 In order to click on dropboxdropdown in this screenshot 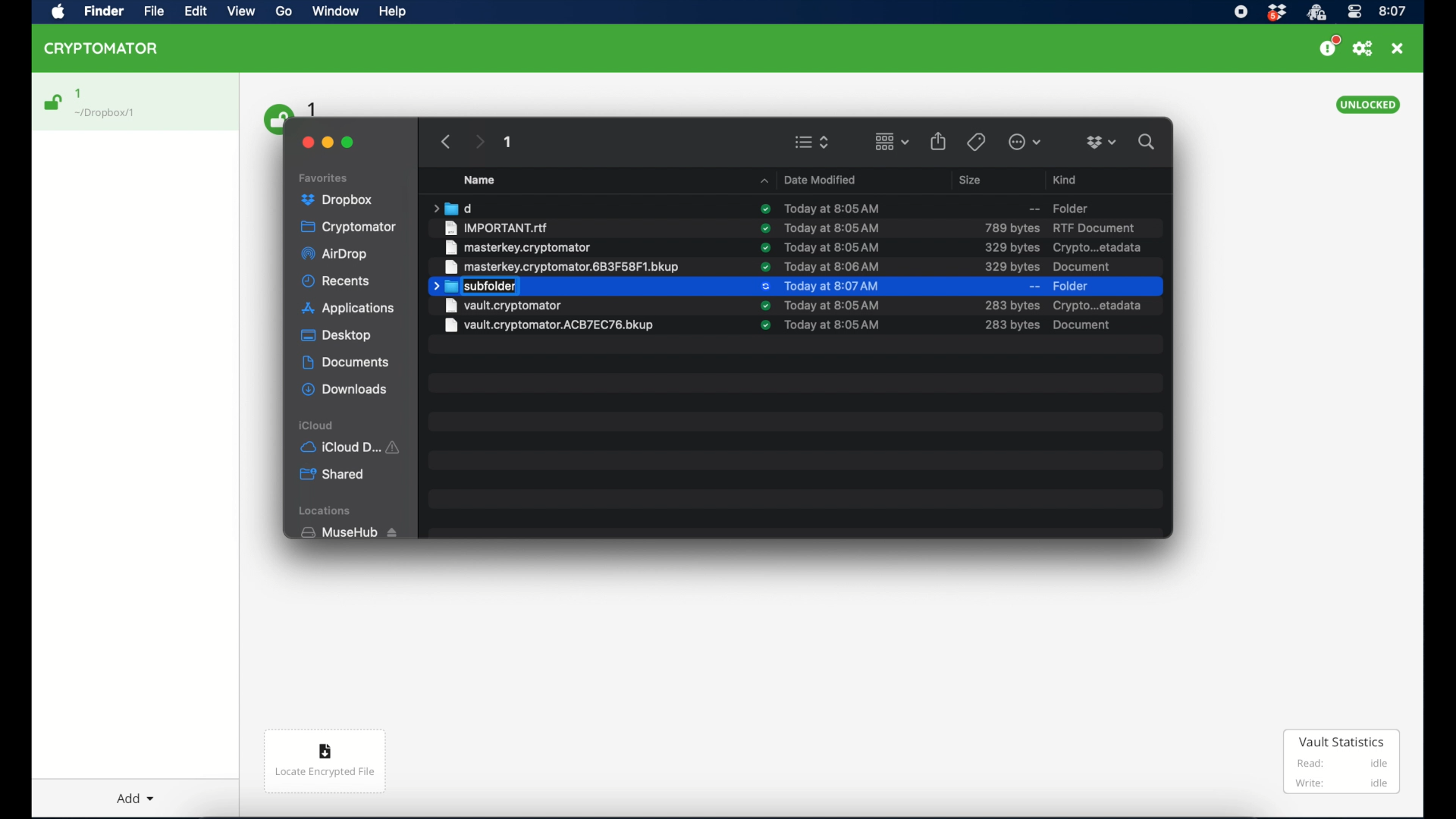, I will do `click(1101, 143)`.